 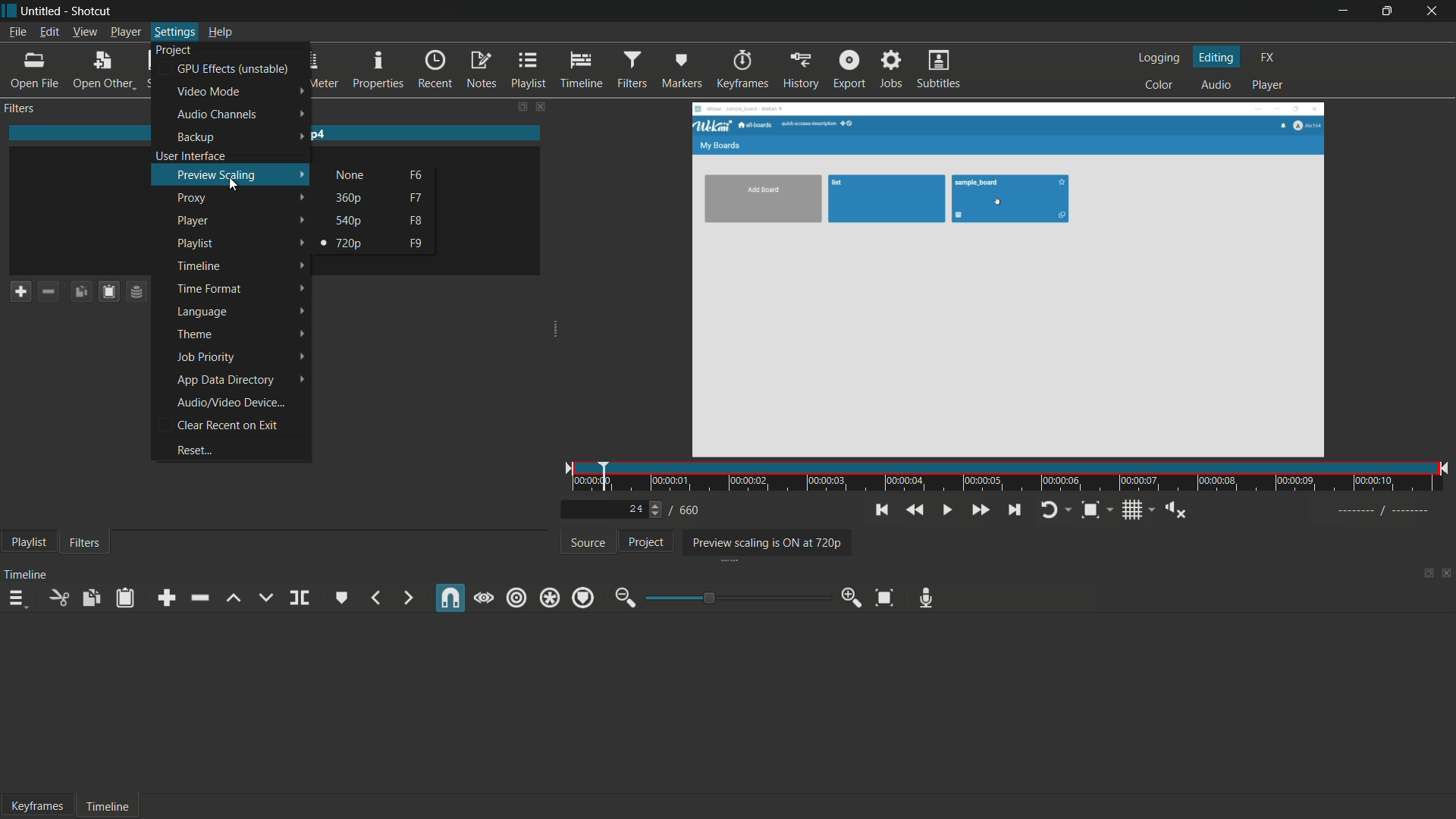 What do you see at coordinates (1216, 57) in the screenshot?
I see `editing` at bounding box center [1216, 57].